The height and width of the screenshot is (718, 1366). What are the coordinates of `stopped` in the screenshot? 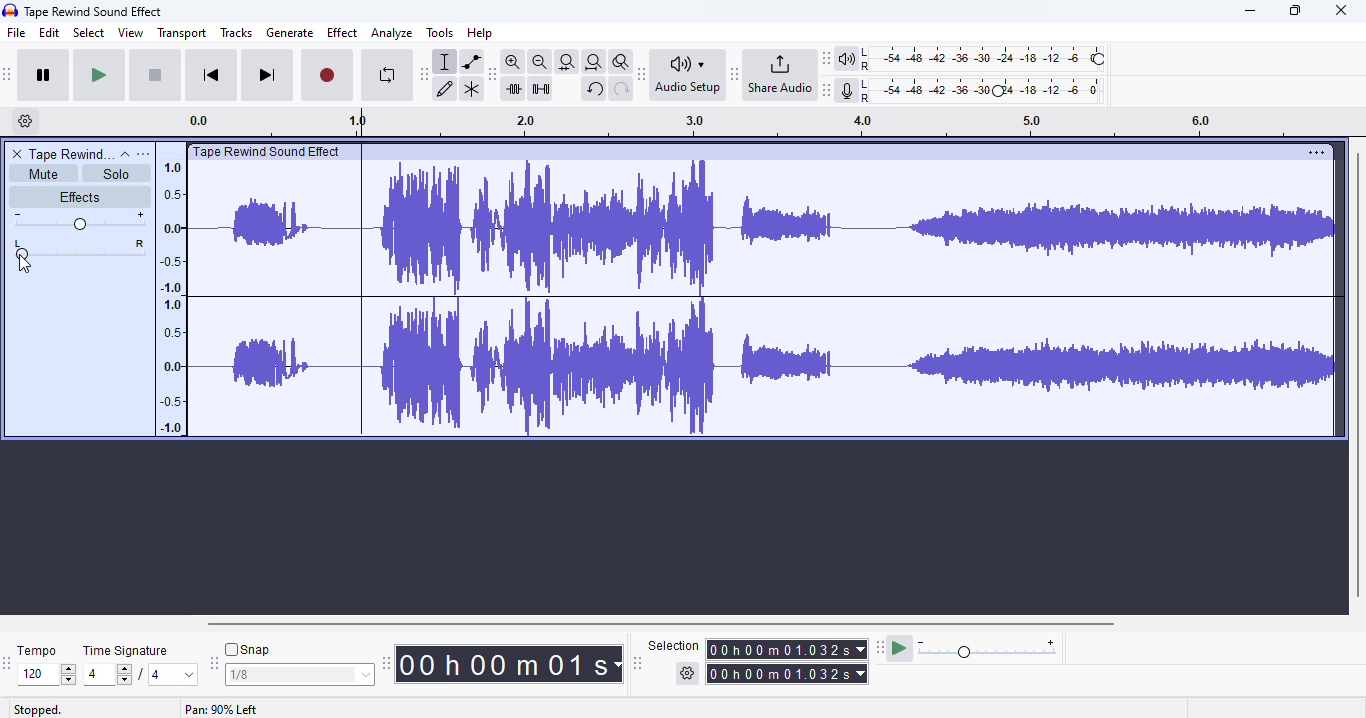 It's located at (38, 710).